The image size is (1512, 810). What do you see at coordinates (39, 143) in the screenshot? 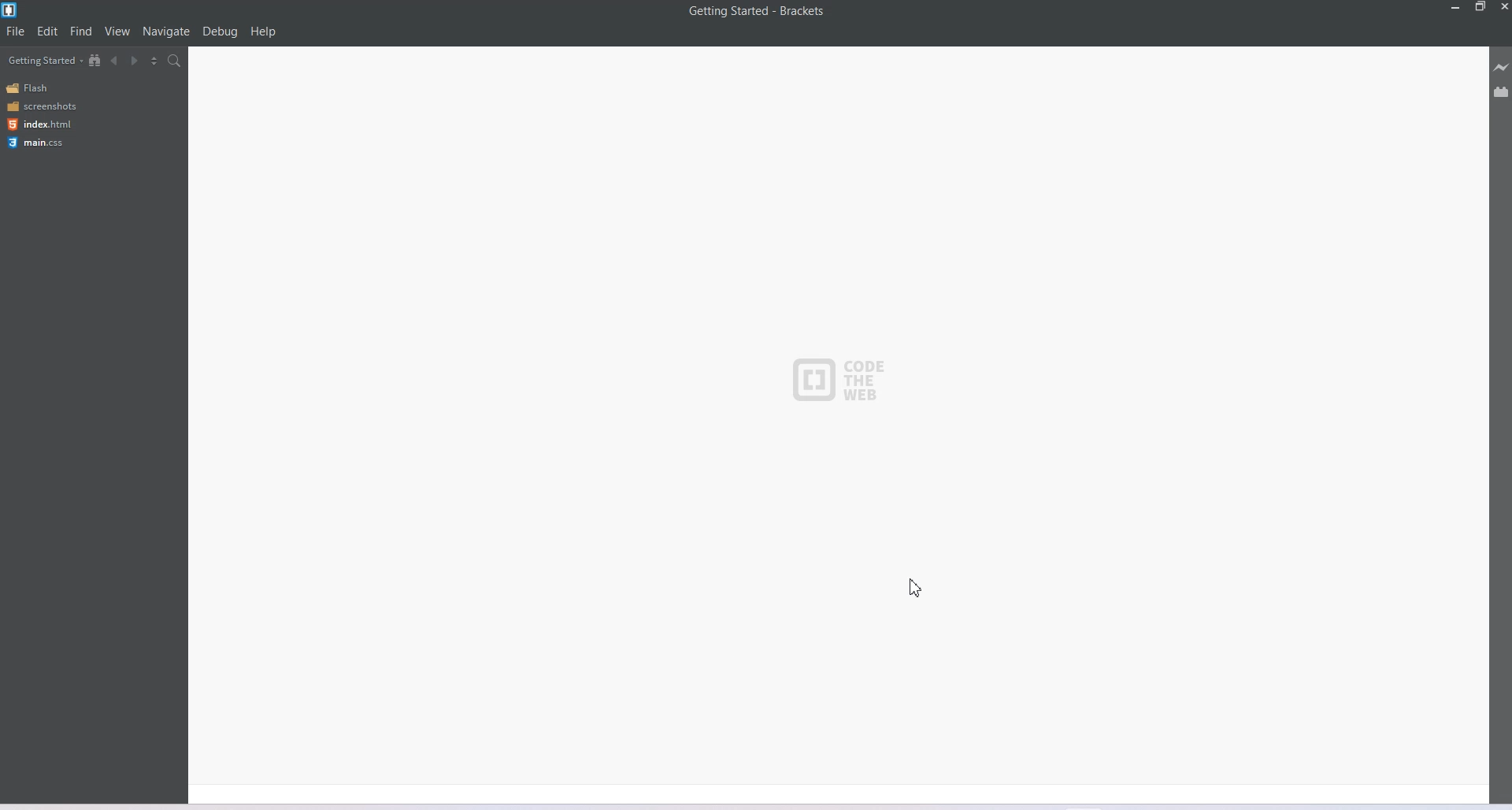
I see `main.css` at bounding box center [39, 143].